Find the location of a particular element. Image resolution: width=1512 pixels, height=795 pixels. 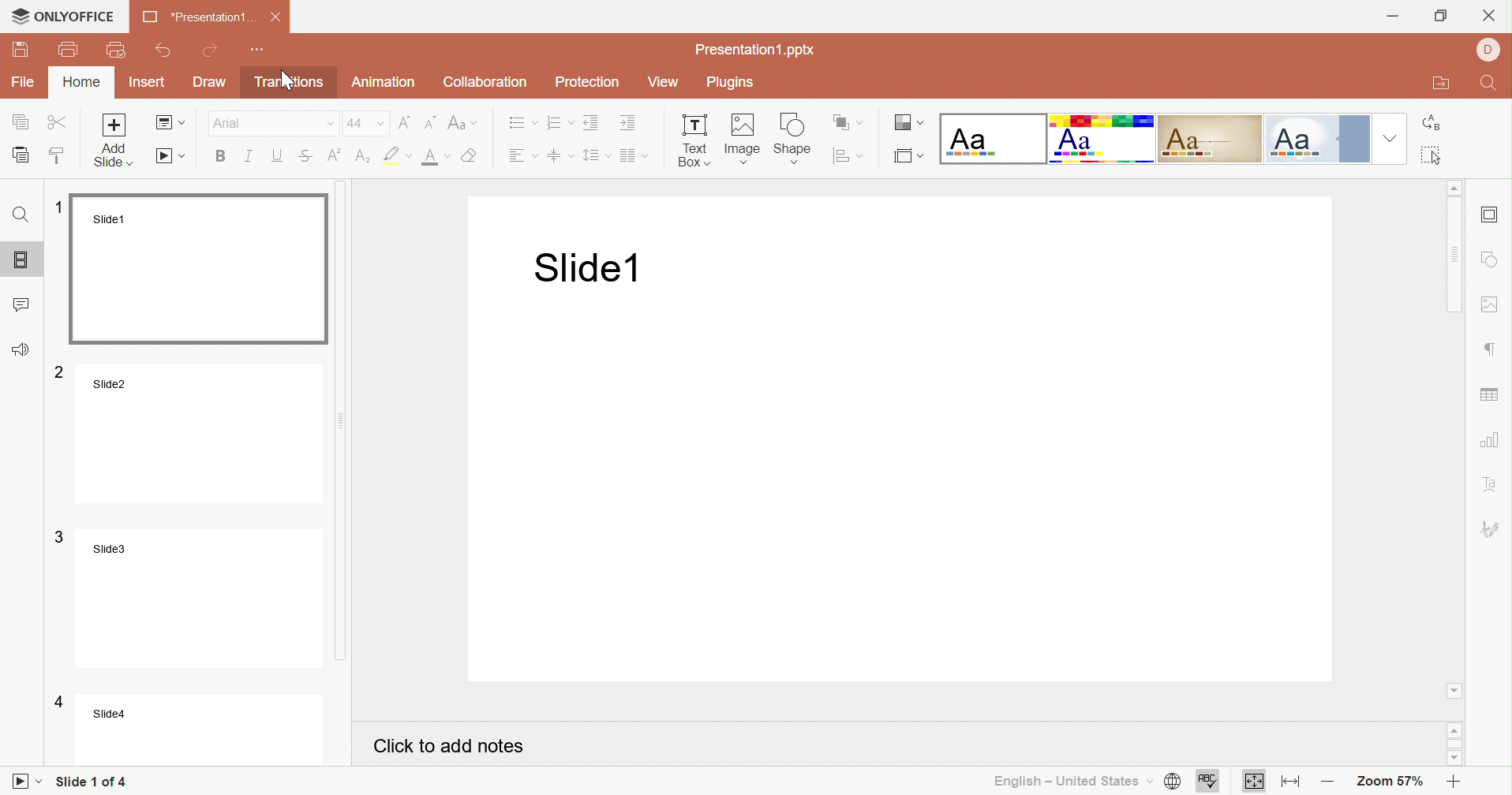

Slide1 is located at coordinates (194, 268).